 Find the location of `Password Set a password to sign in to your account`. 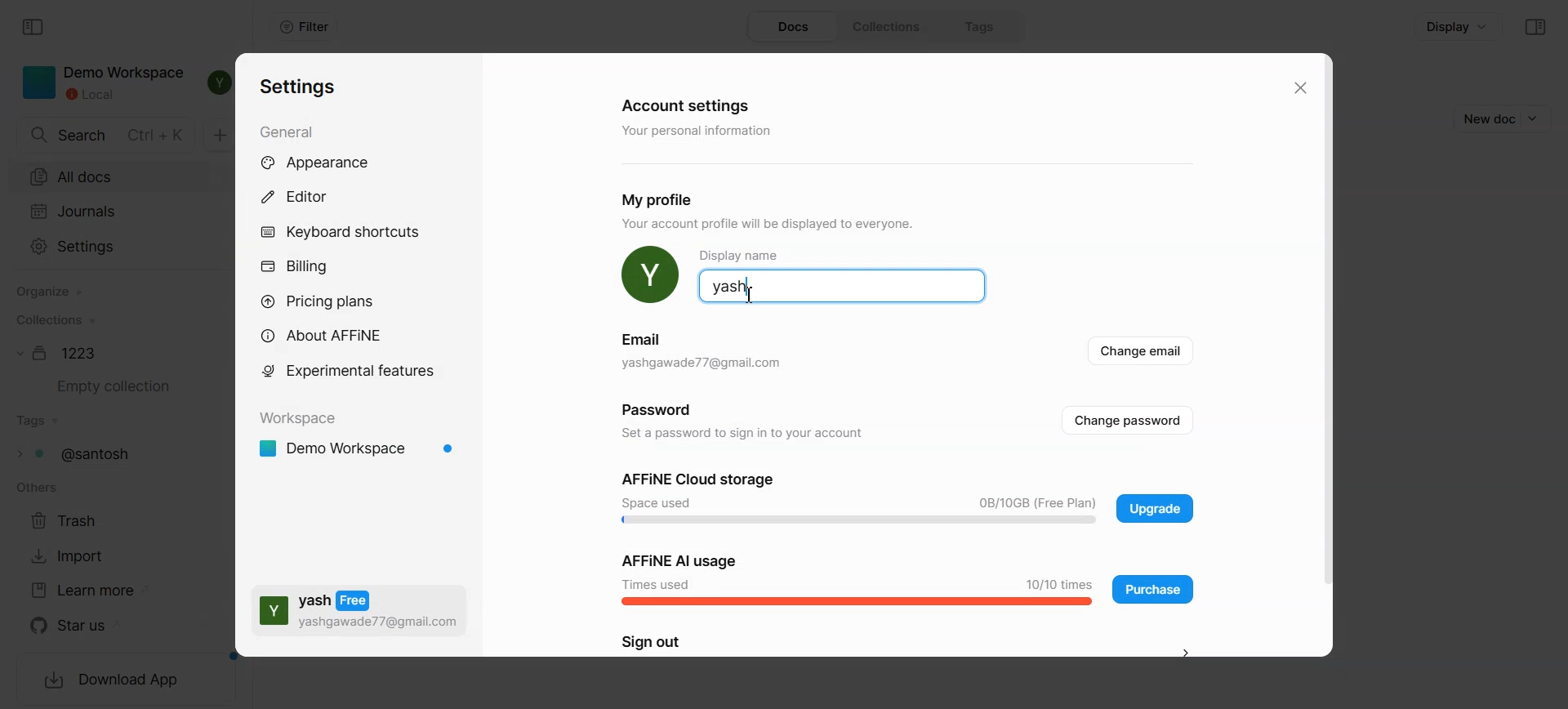

Password Set a password to sign in to your account is located at coordinates (738, 421).